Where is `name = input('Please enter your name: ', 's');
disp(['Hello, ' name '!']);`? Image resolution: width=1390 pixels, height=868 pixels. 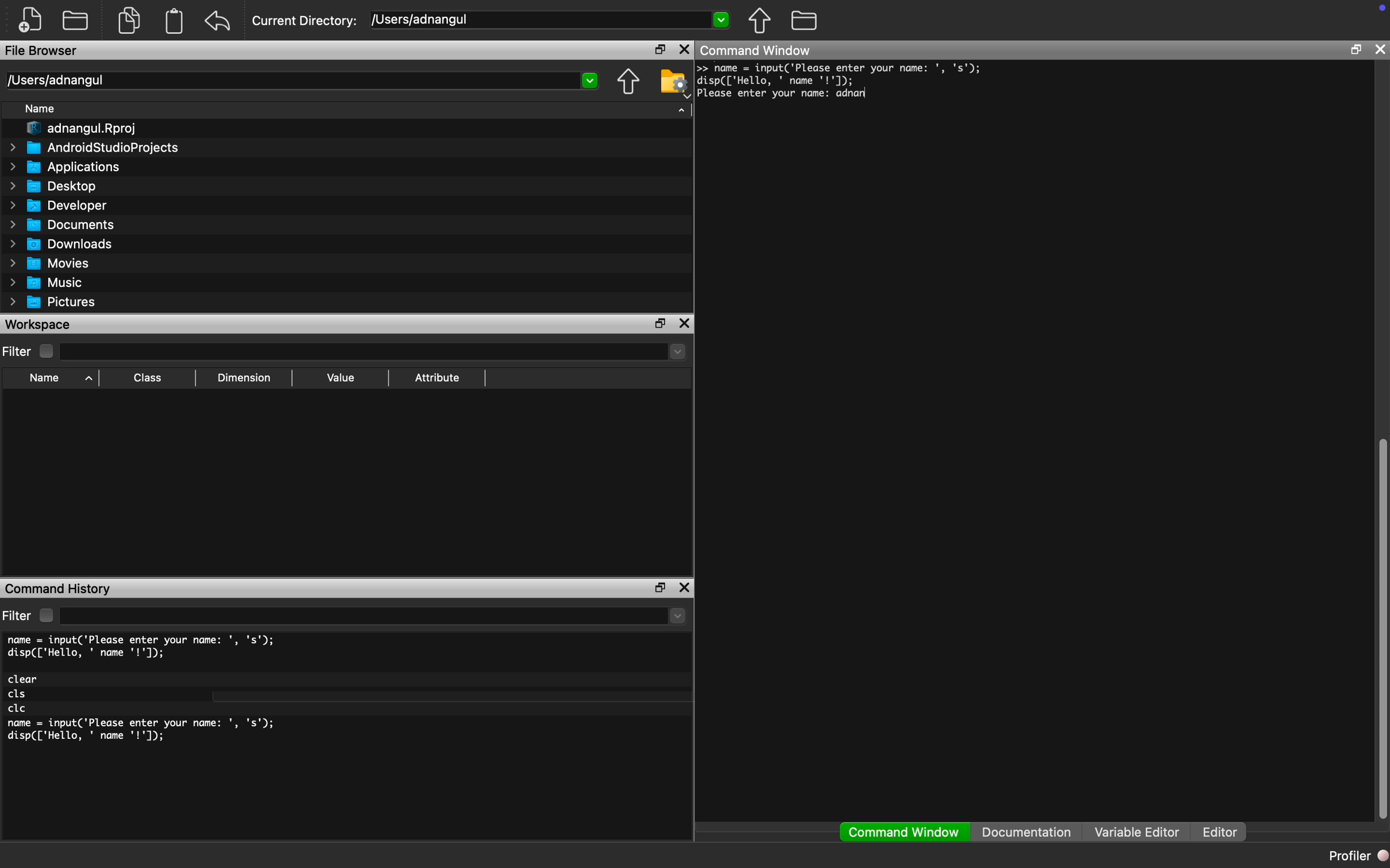
name = input('Please enter your name: ', 's');
disp(['Hello, ' name '!']); is located at coordinates (144, 647).